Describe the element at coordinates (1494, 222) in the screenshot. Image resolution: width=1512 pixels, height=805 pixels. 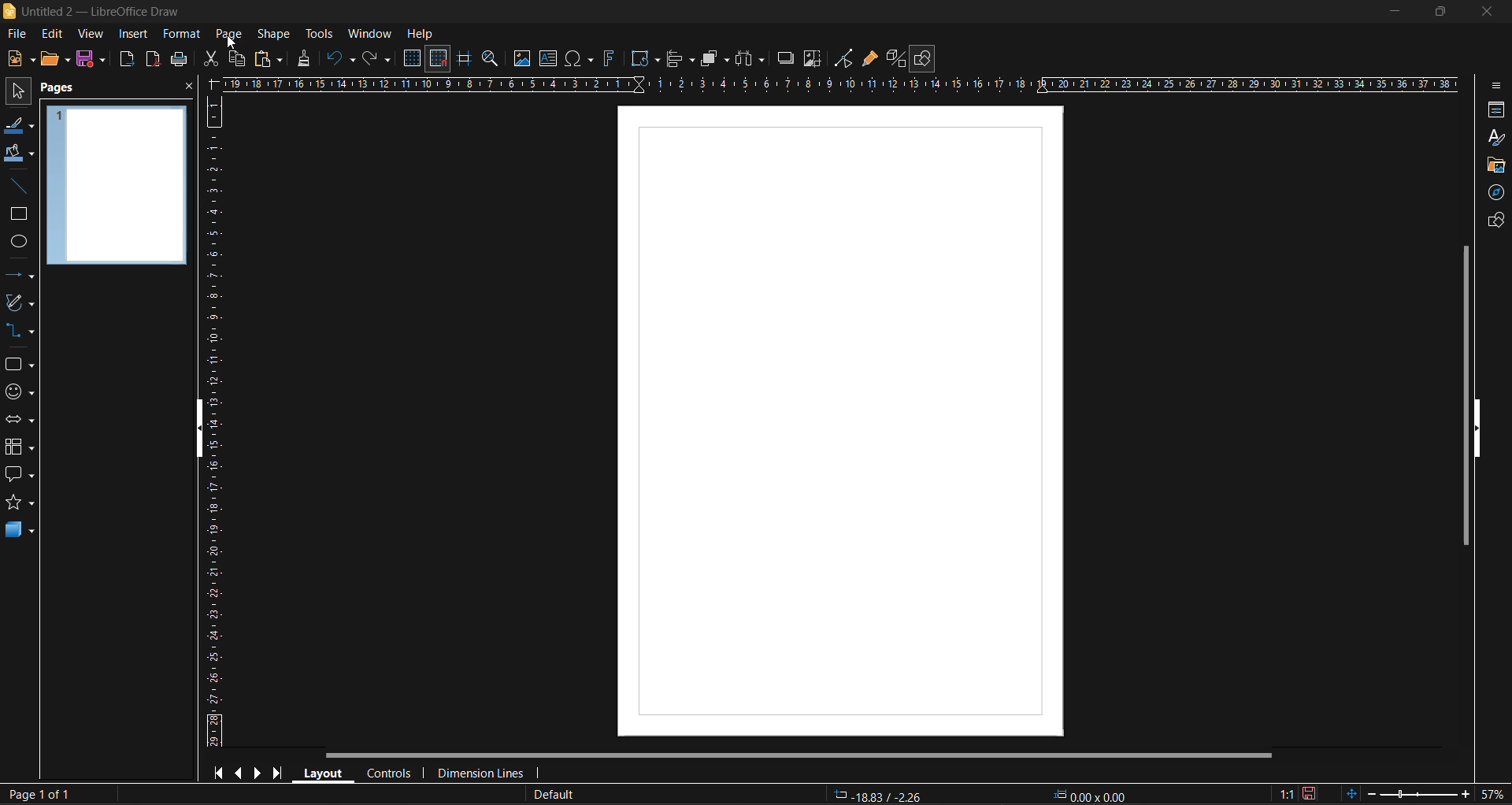
I see `shapes` at that location.